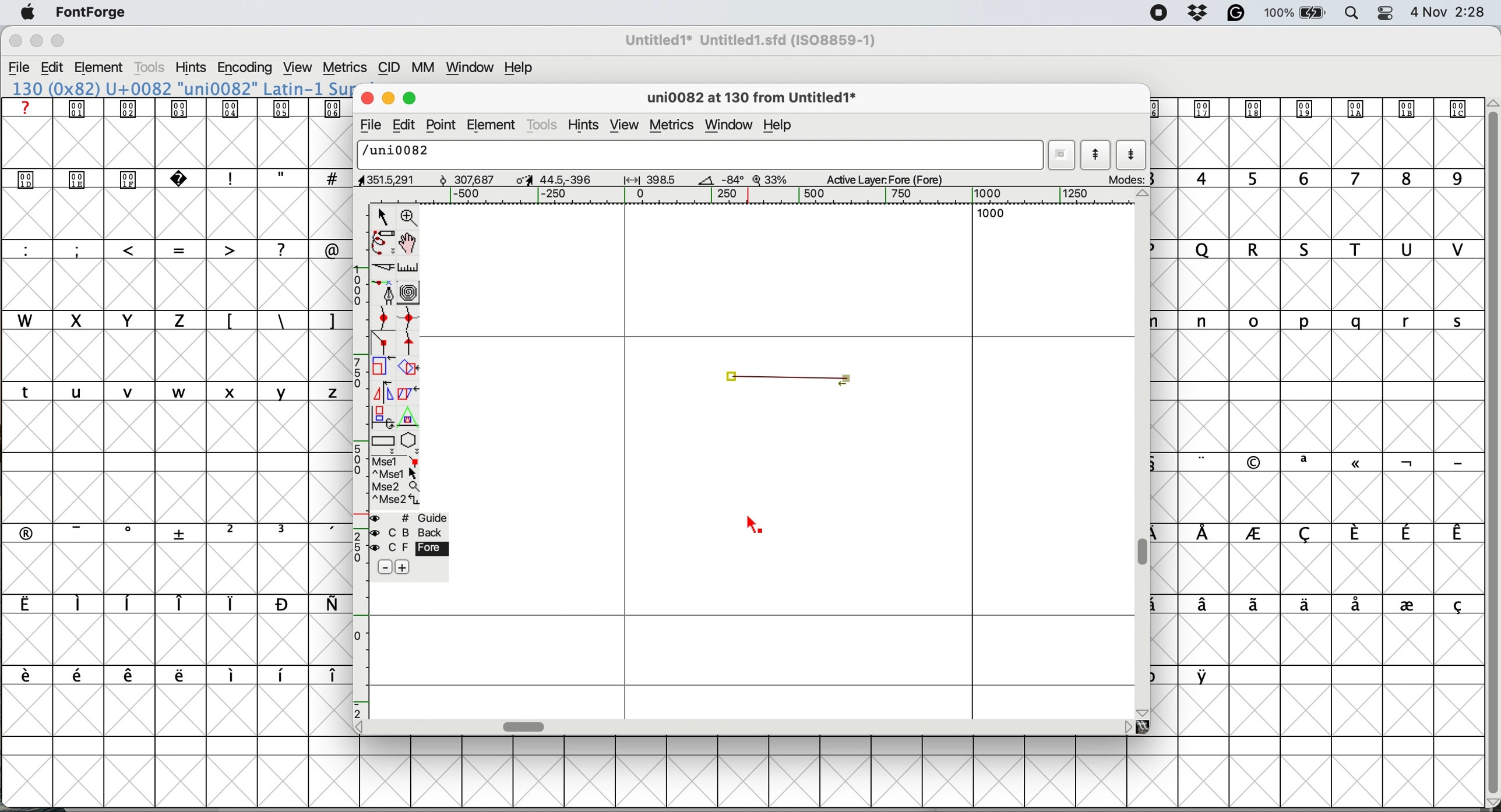  Describe the element at coordinates (472, 68) in the screenshot. I see `window` at that location.